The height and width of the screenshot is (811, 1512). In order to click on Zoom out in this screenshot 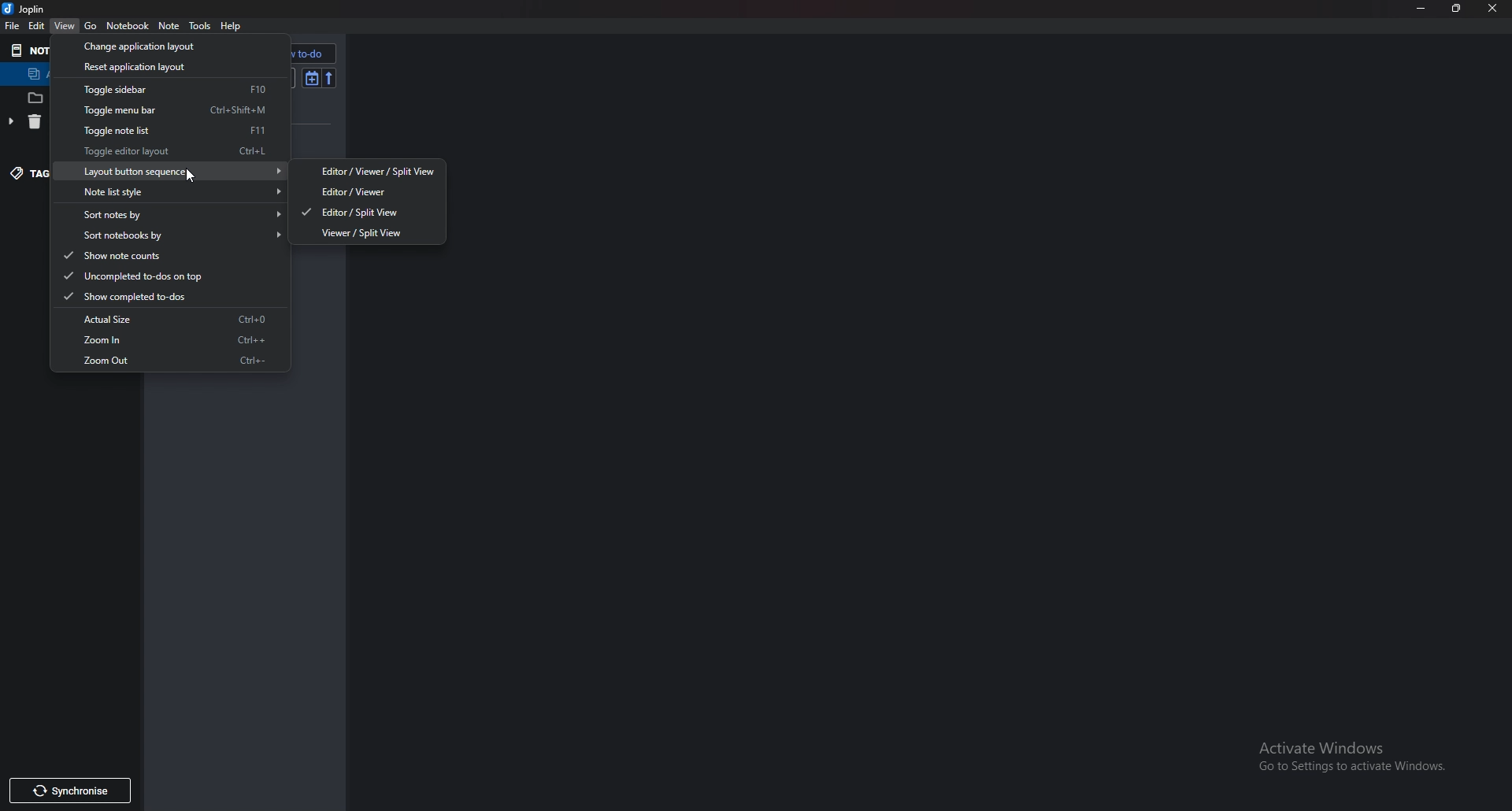, I will do `click(172, 360)`.